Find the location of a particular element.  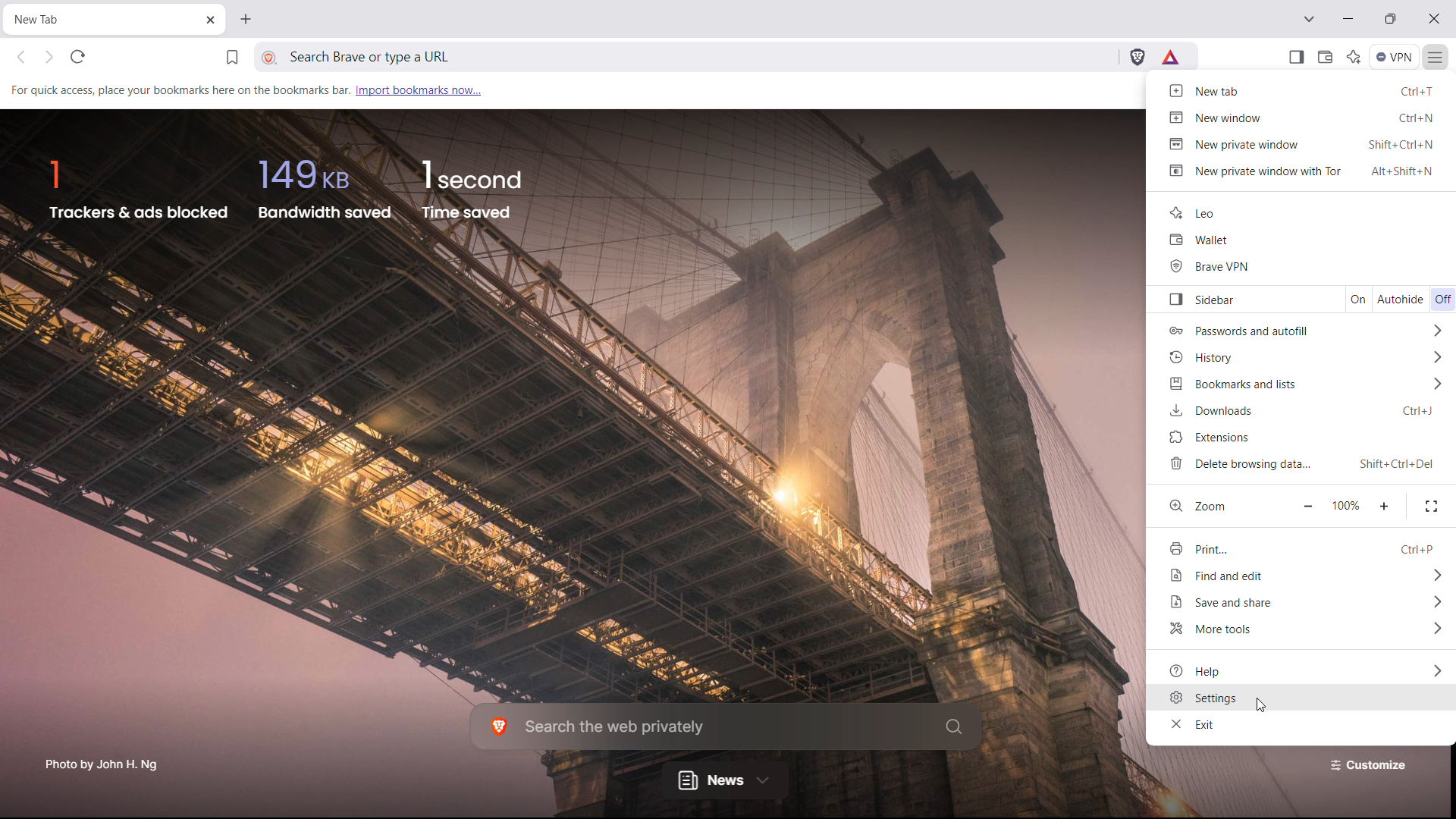

refresh page is located at coordinates (77, 57).